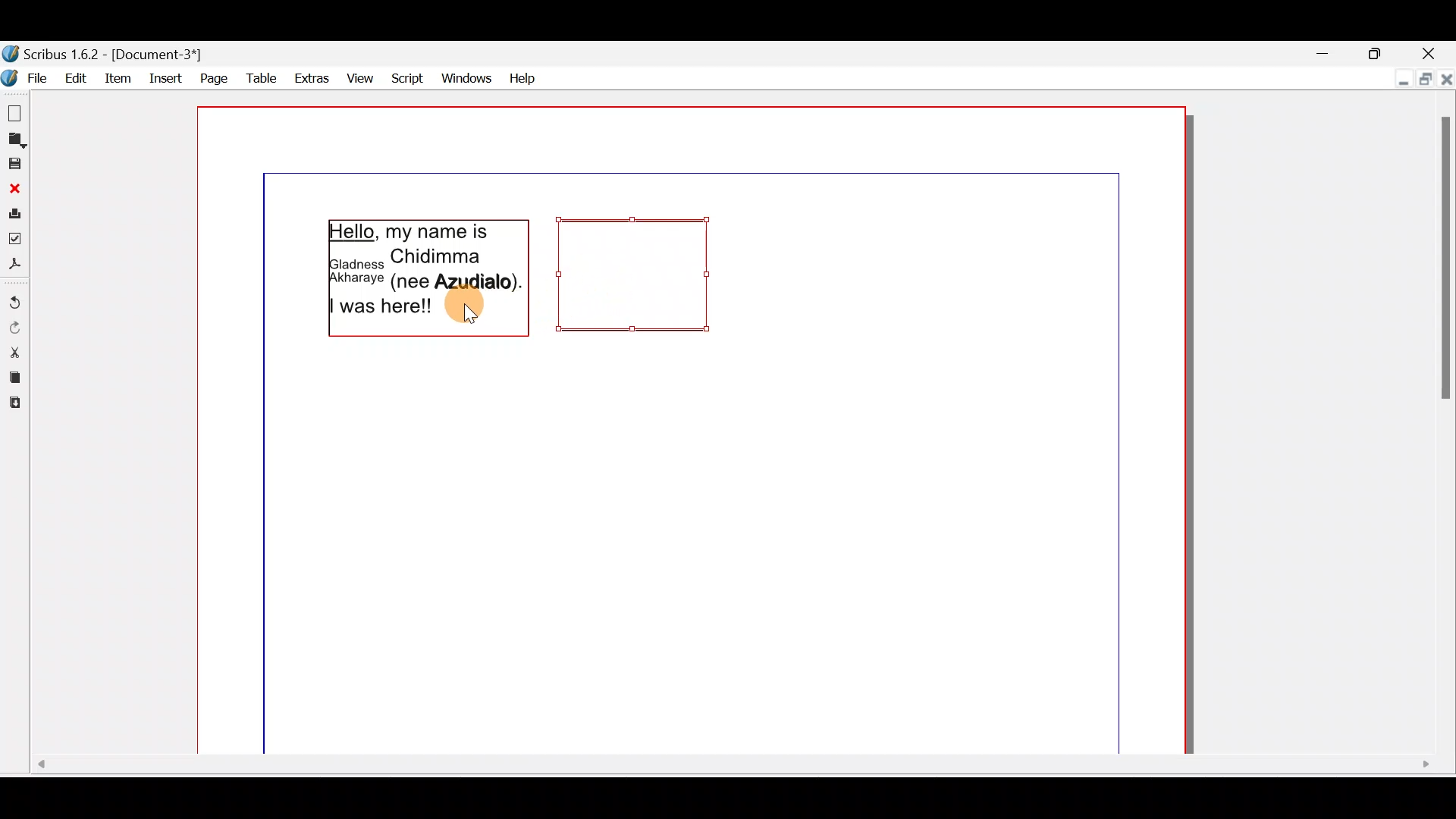 This screenshot has width=1456, height=819. What do you see at coordinates (27, 76) in the screenshot?
I see `File` at bounding box center [27, 76].